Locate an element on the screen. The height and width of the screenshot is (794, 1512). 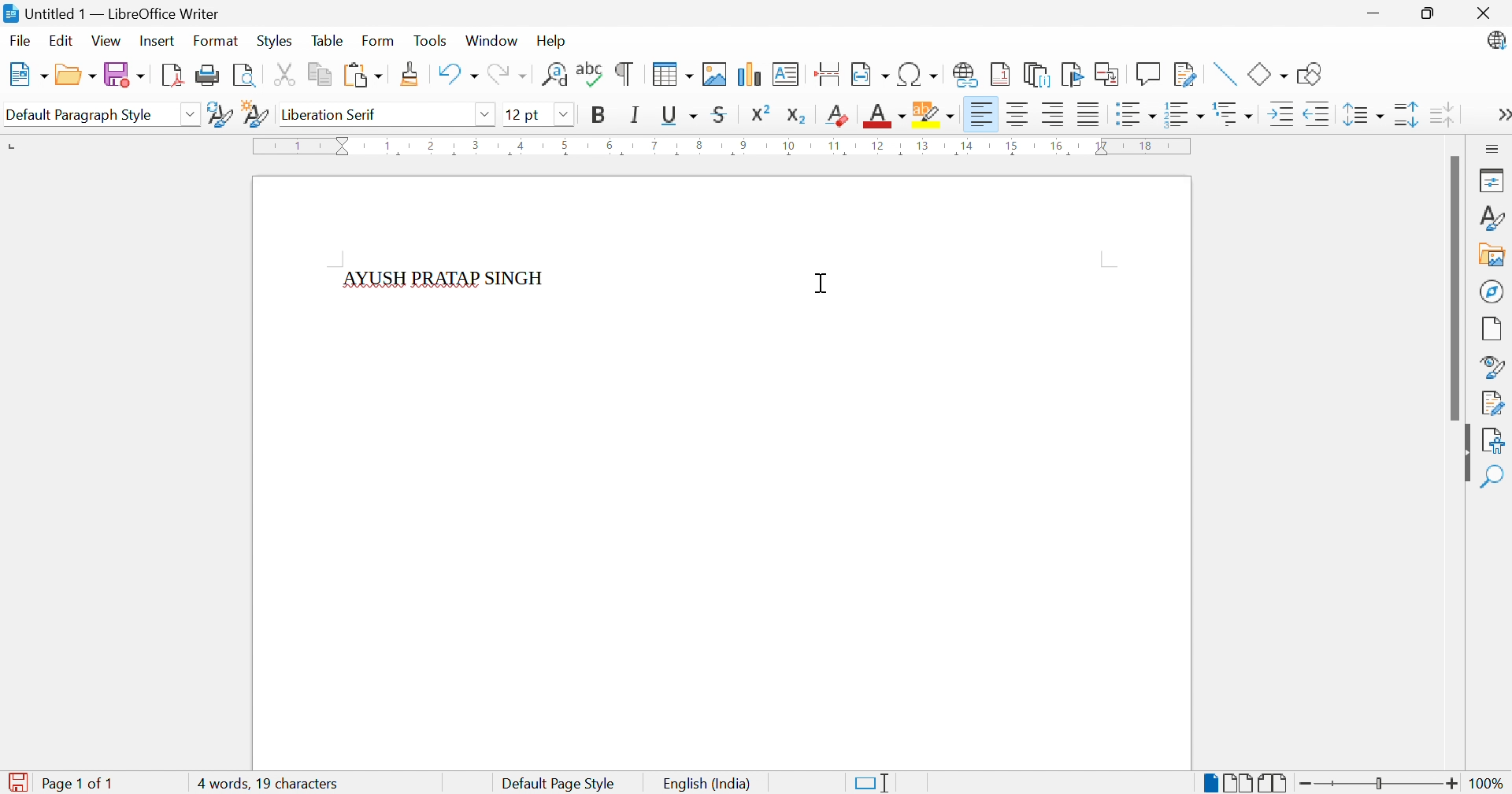
Browse is located at coordinates (75, 76).